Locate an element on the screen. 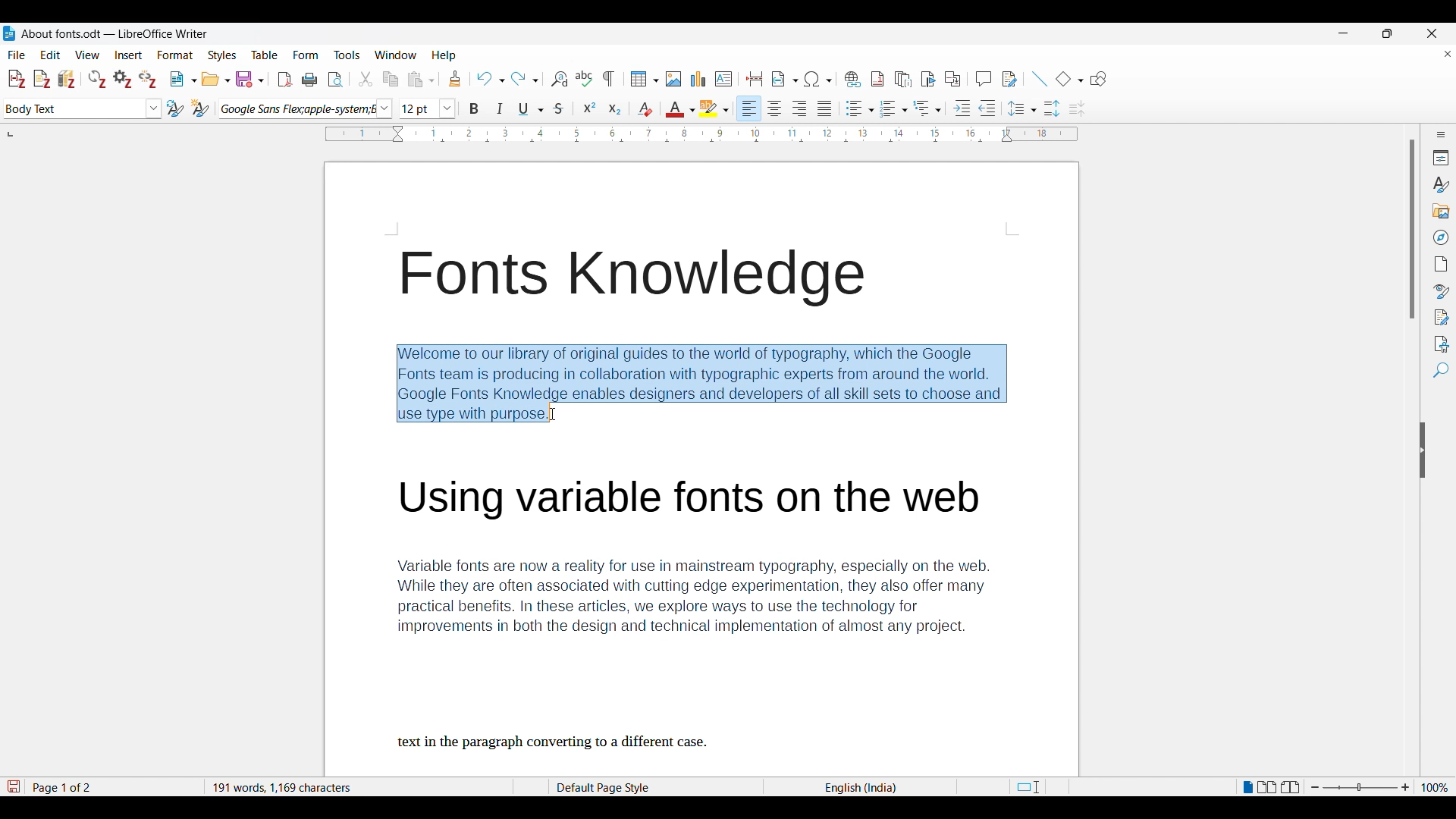 This screenshot has width=1456, height=819. Unordered list is located at coordinates (859, 108).